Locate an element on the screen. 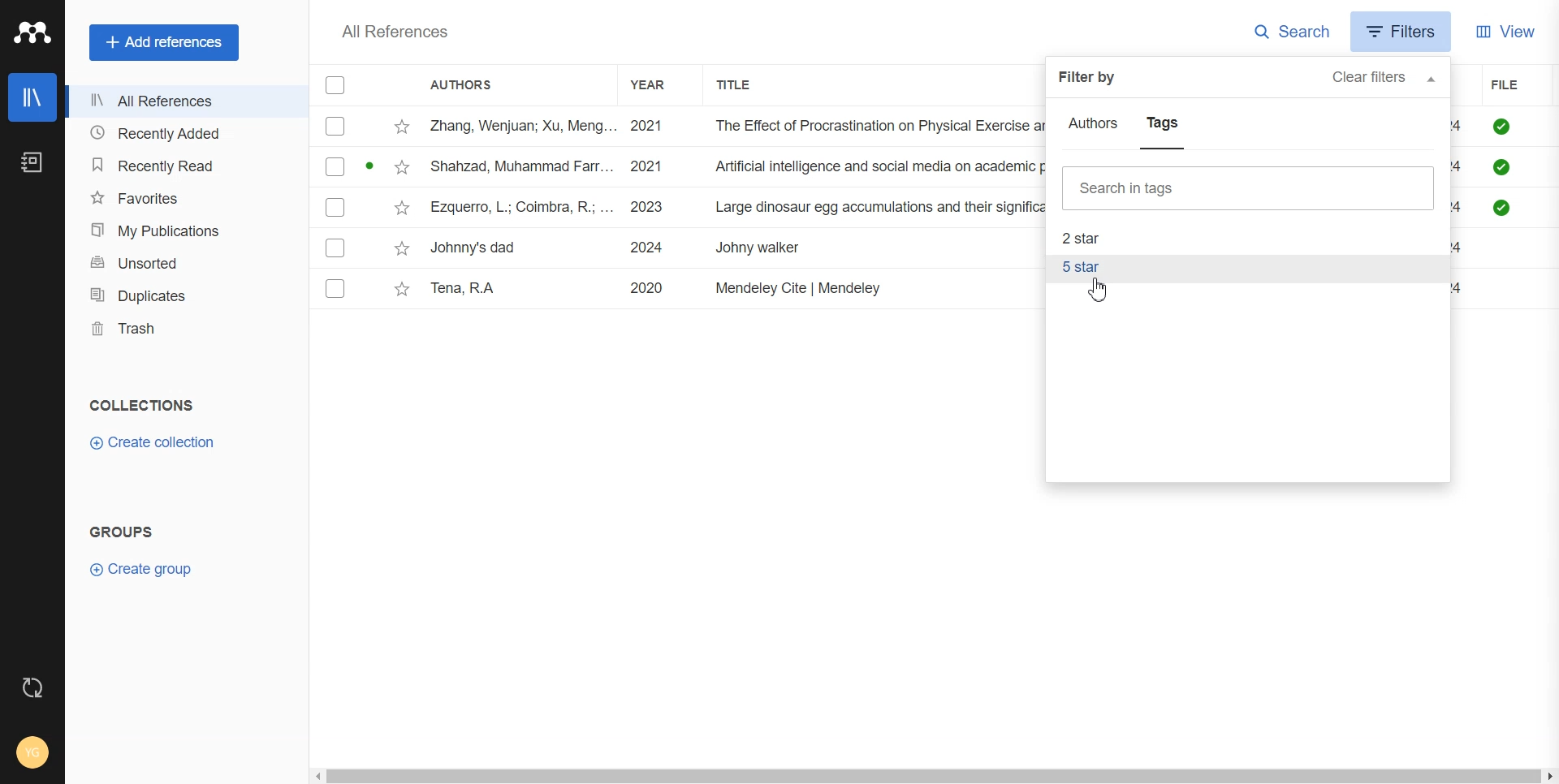 The height and width of the screenshot is (784, 1559). Collection is located at coordinates (143, 405).